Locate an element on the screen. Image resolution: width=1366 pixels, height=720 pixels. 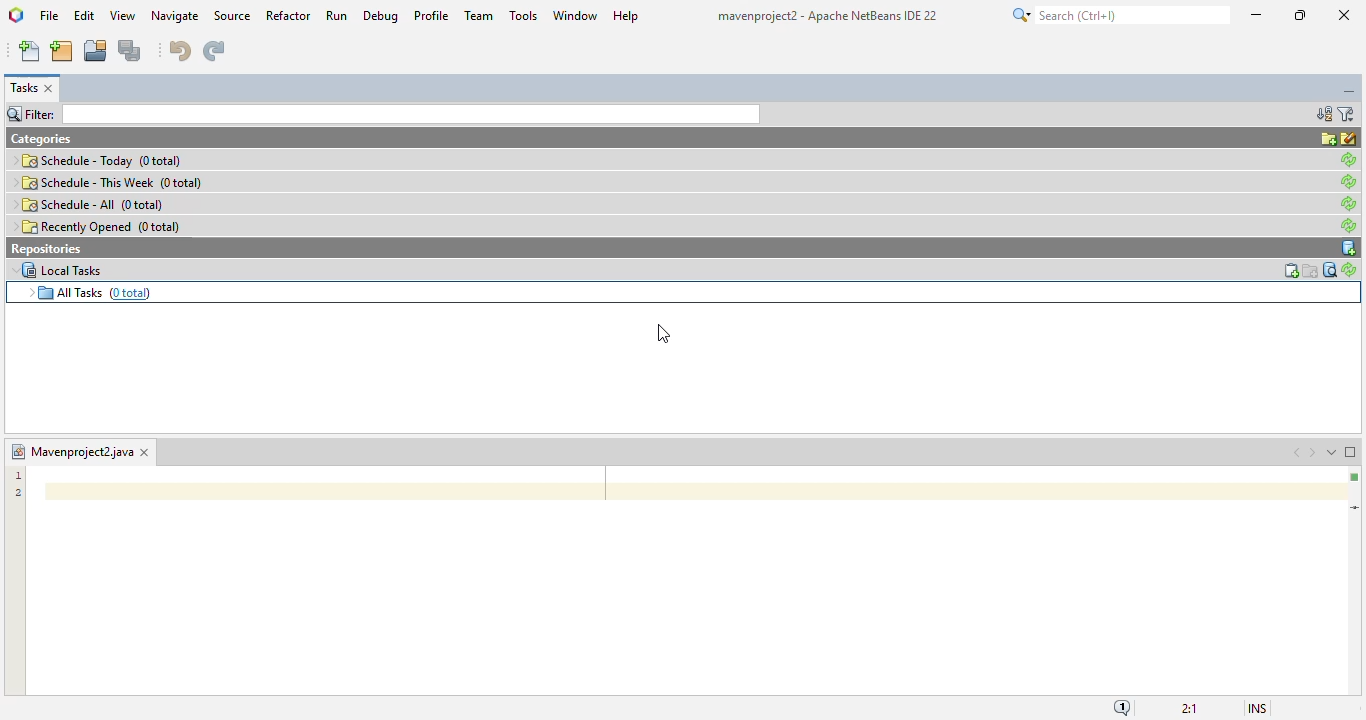
debug is located at coordinates (382, 15).